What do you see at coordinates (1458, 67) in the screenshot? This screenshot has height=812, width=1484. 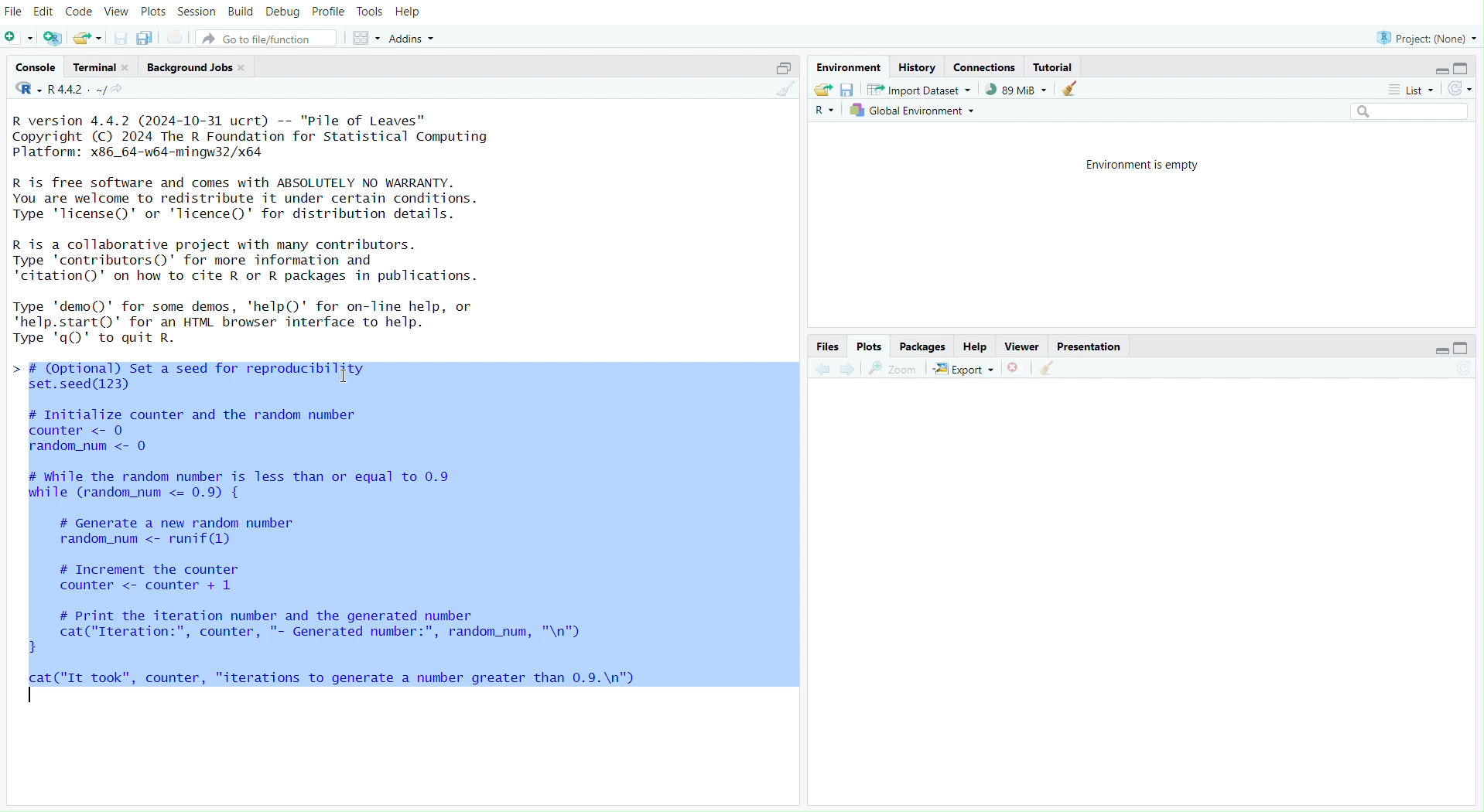 I see `Maximize` at bounding box center [1458, 67].